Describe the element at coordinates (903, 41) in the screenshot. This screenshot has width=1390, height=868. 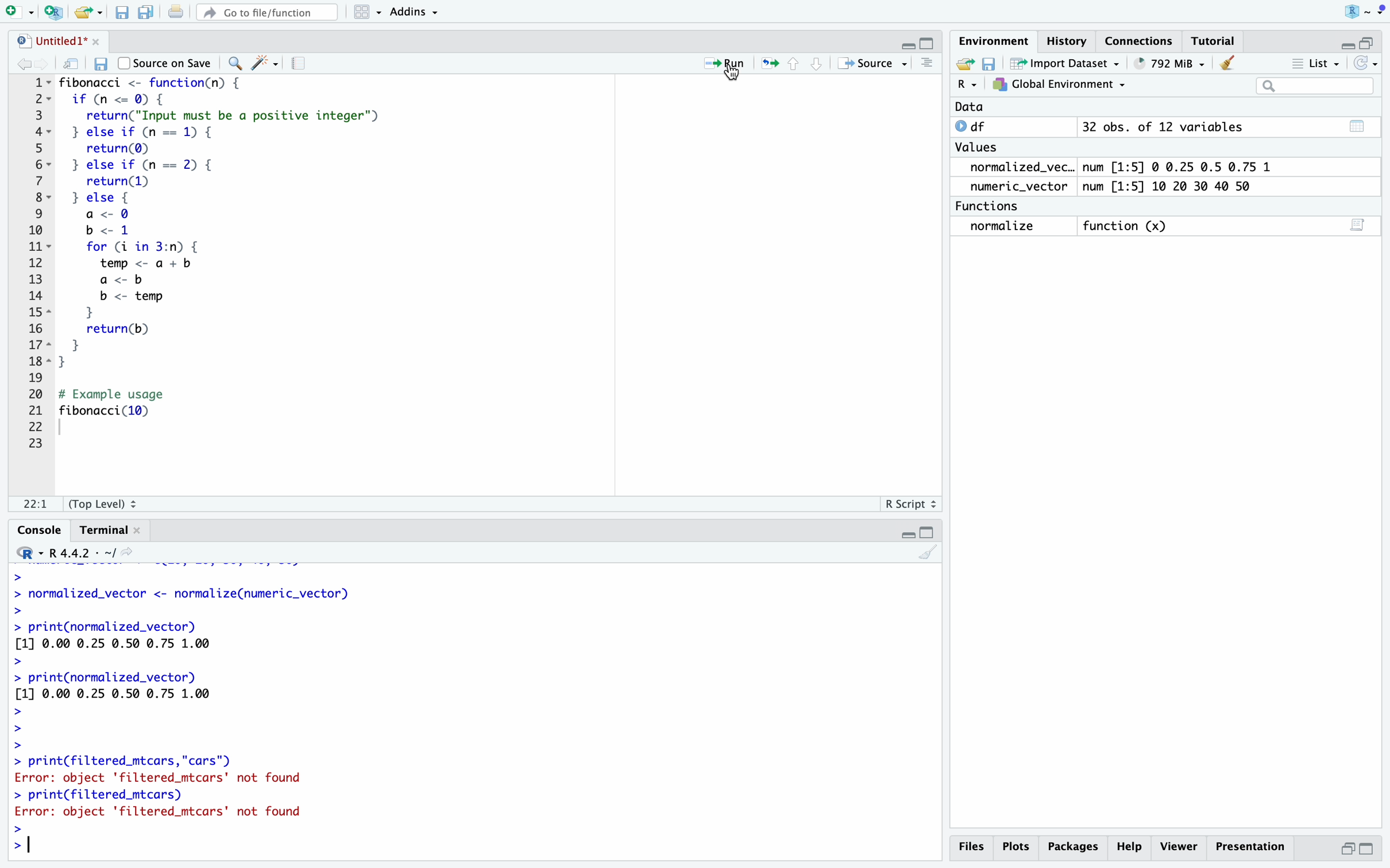
I see `minimize` at that location.